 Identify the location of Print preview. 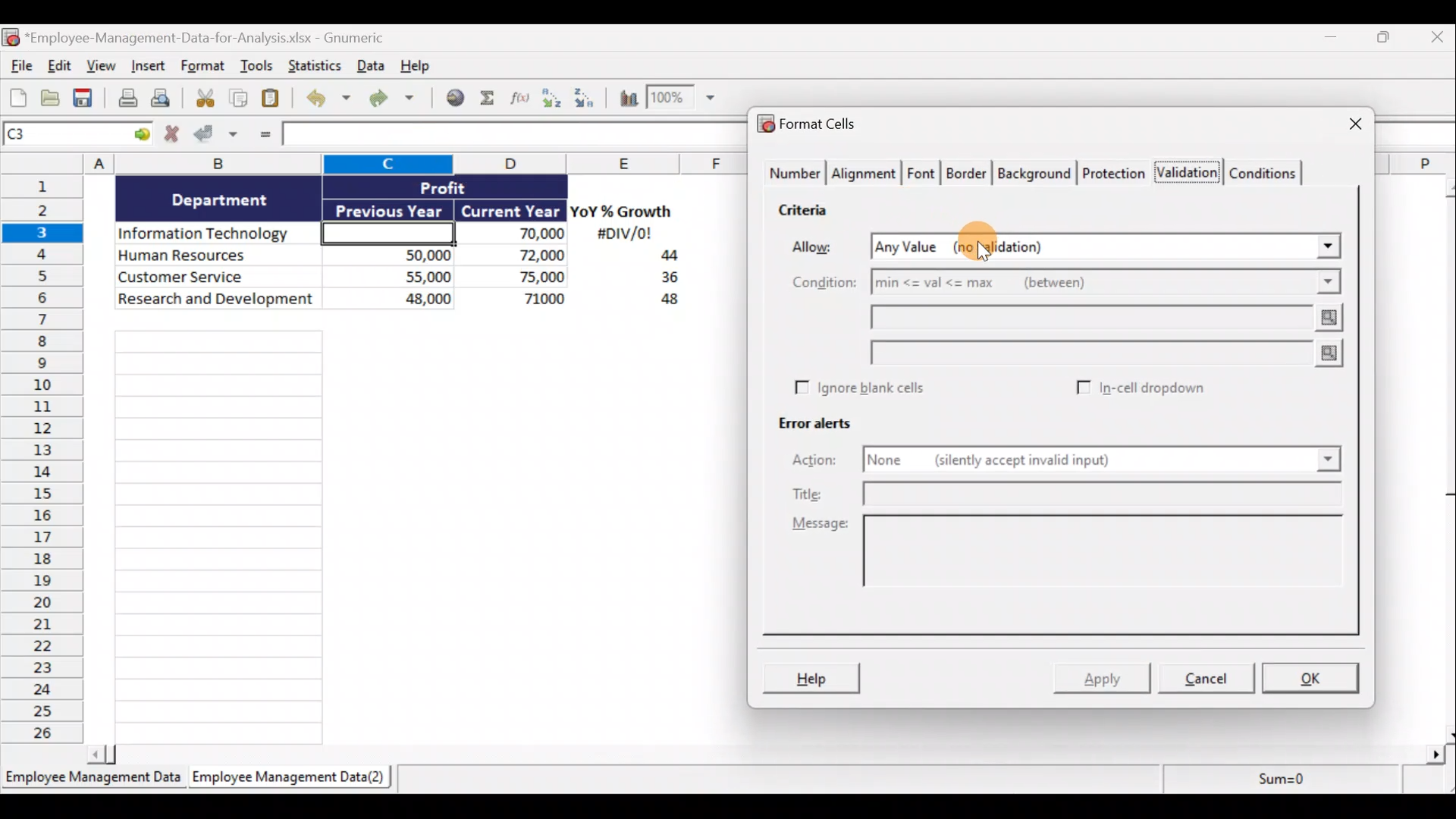
(169, 102).